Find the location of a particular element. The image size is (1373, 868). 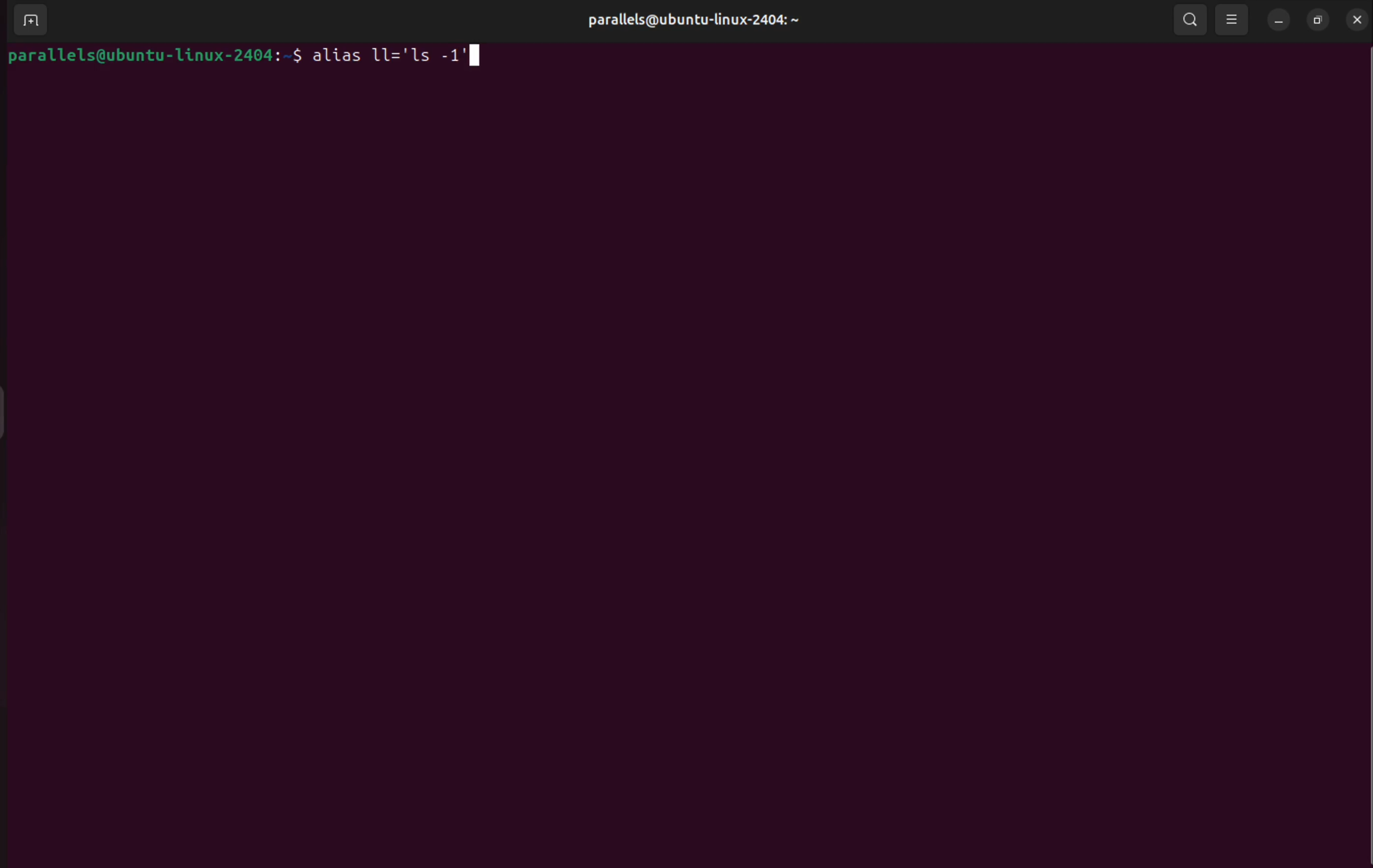

resize is located at coordinates (1316, 22).